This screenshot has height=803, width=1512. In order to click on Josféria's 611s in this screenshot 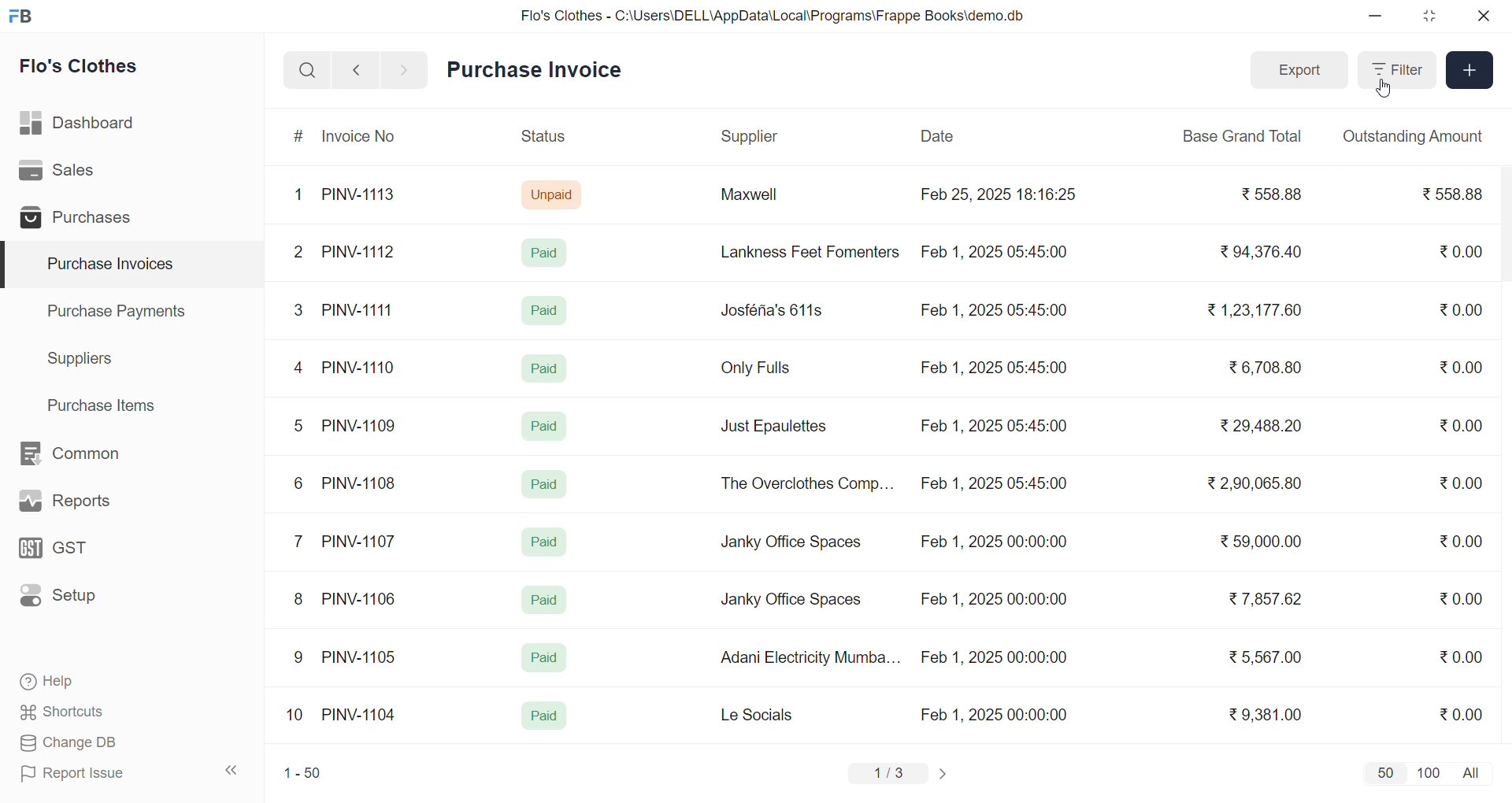, I will do `click(769, 308)`.